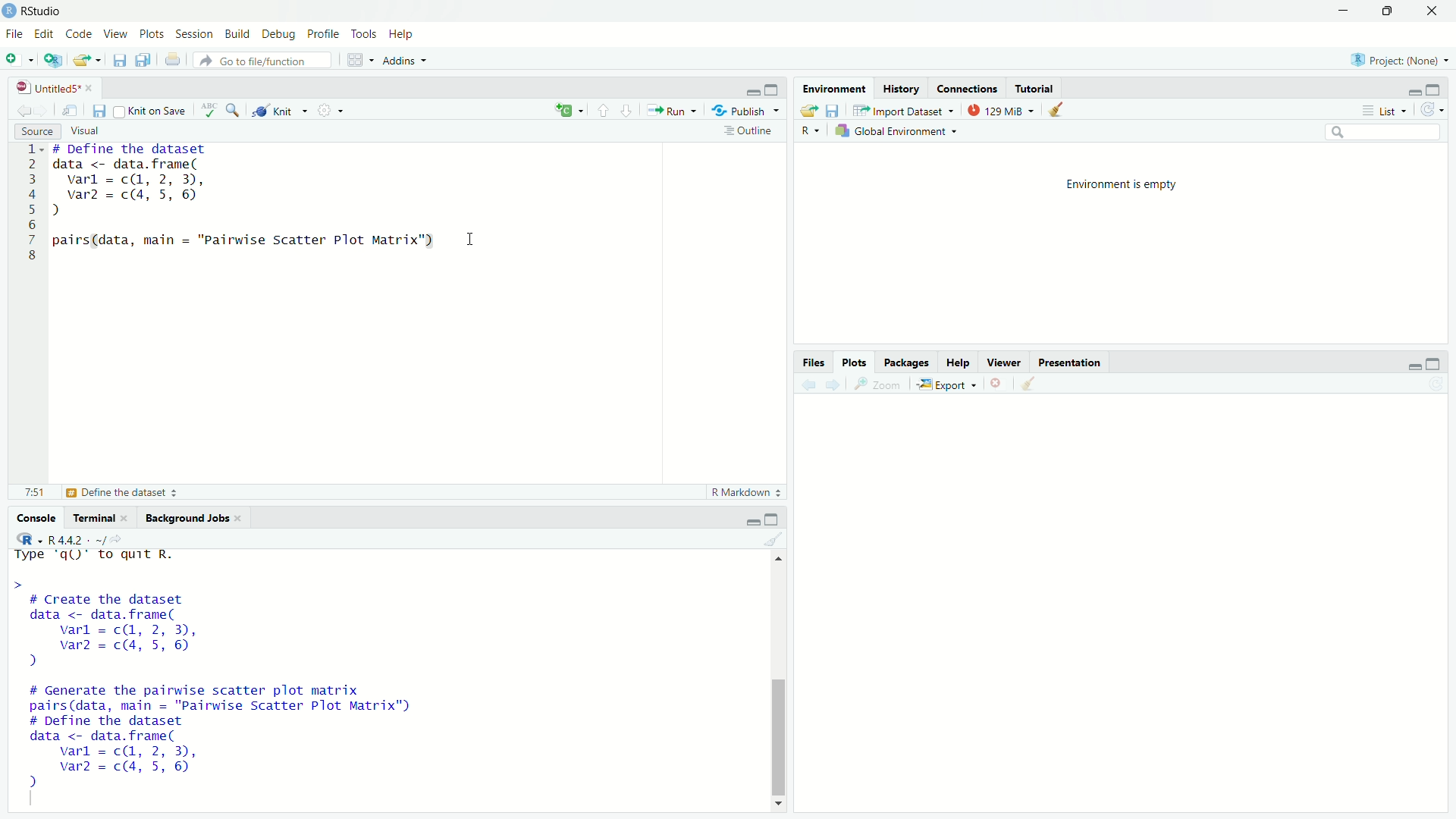  Describe the element at coordinates (116, 34) in the screenshot. I see `View` at that location.